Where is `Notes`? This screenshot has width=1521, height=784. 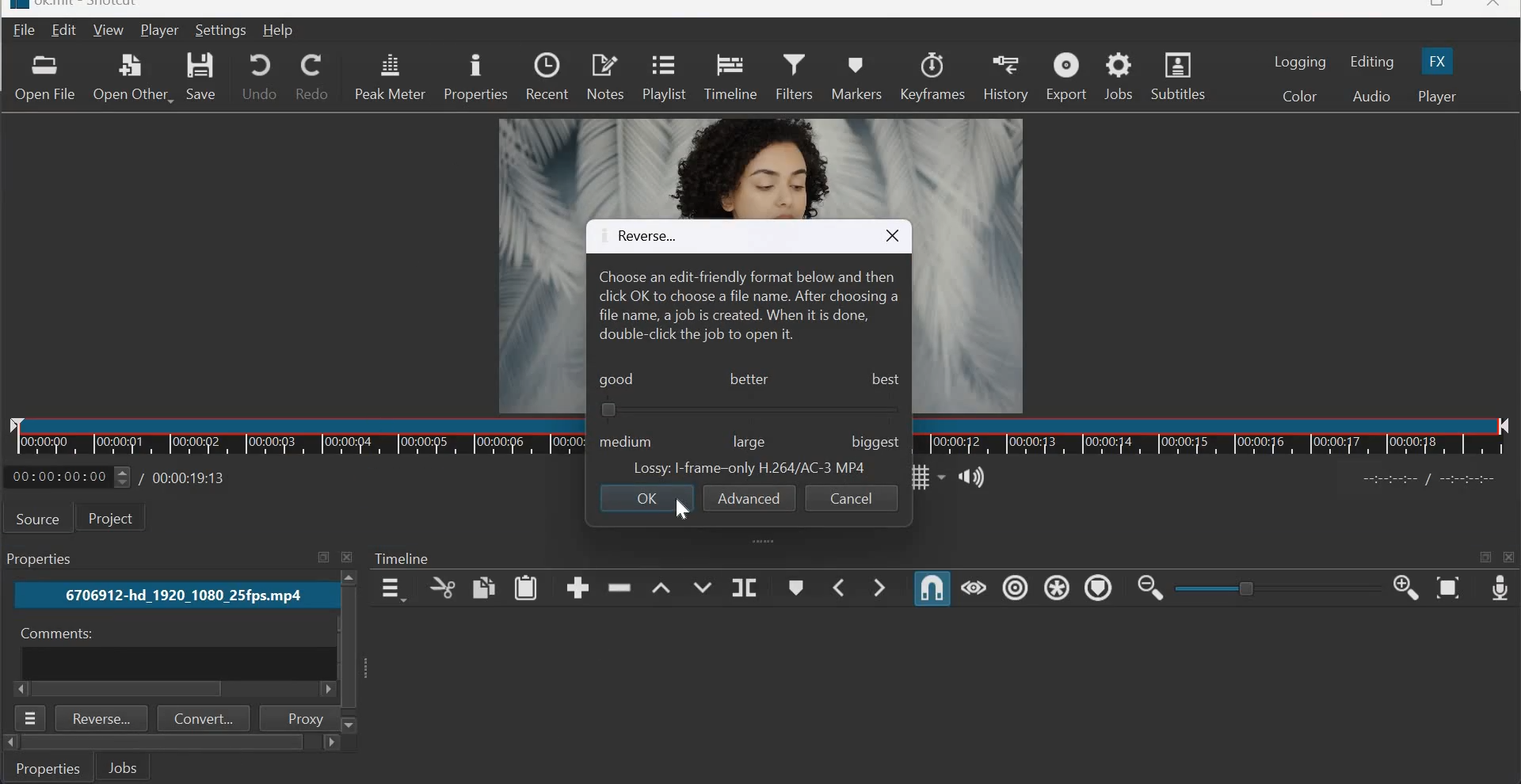 Notes is located at coordinates (606, 77).